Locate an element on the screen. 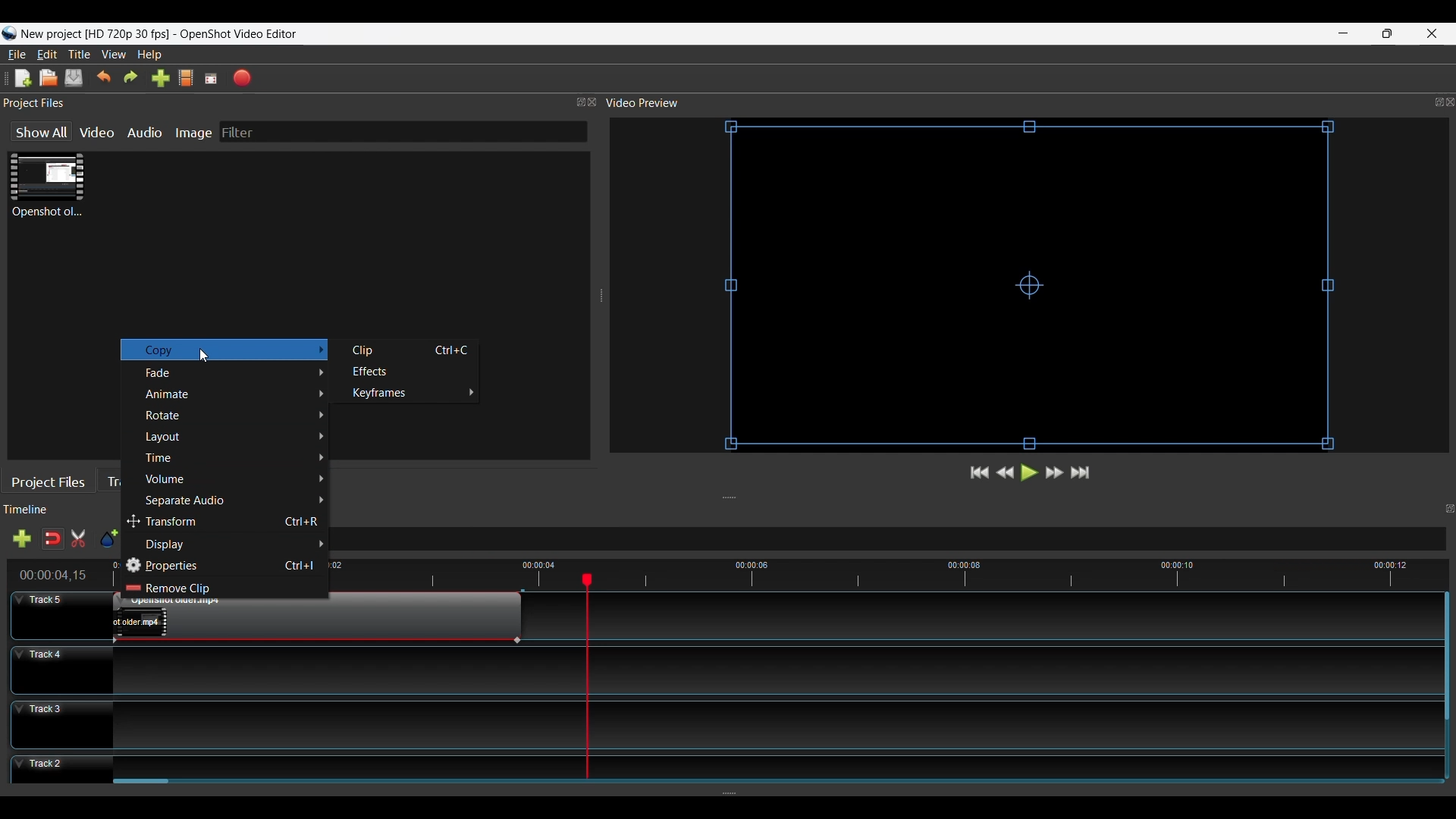 The width and height of the screenshot is (1456, 819). Edit is located at coordinates (49, 55).